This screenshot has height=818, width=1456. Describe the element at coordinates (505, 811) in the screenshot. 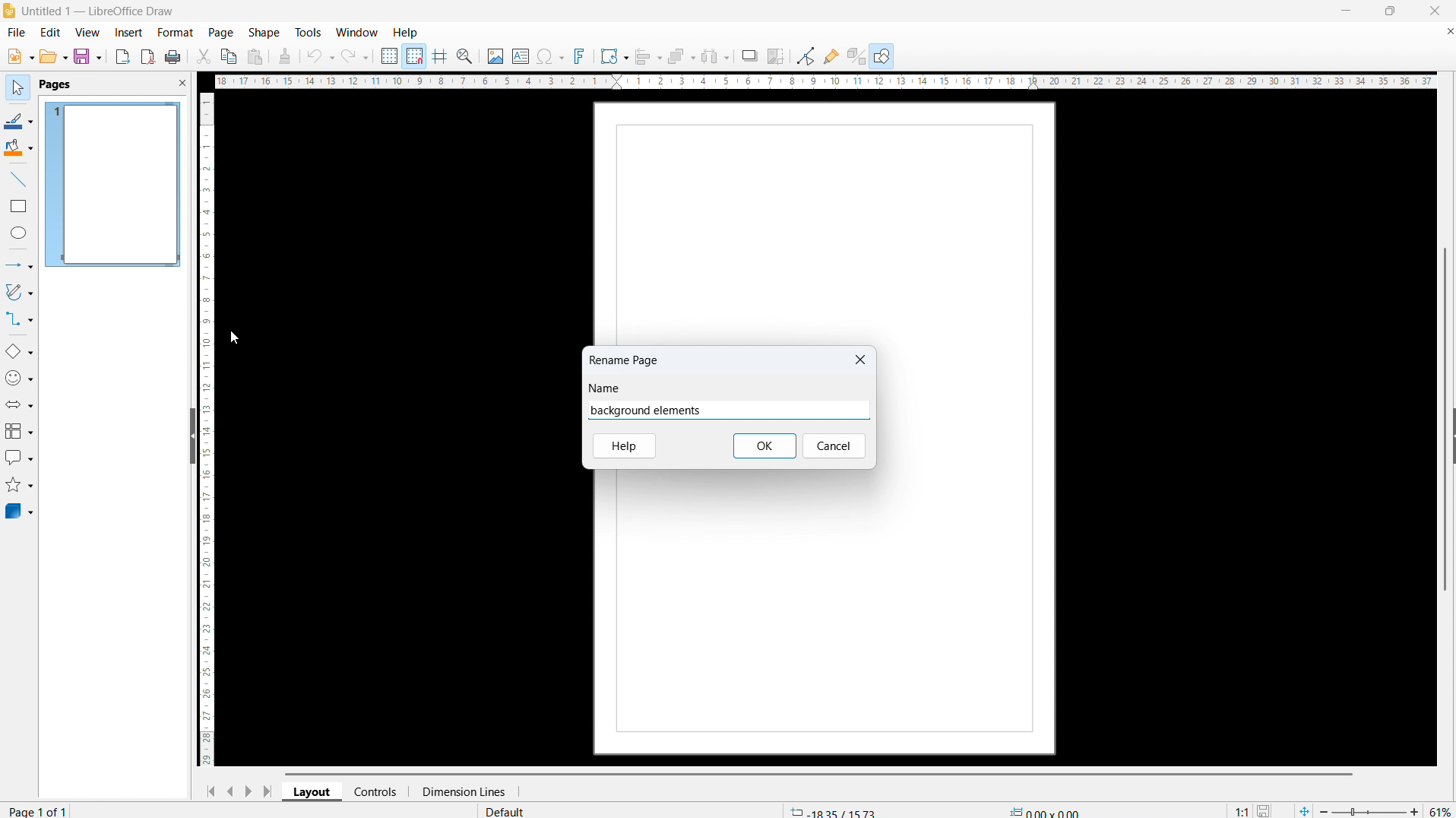

I see `default page style` at that location.